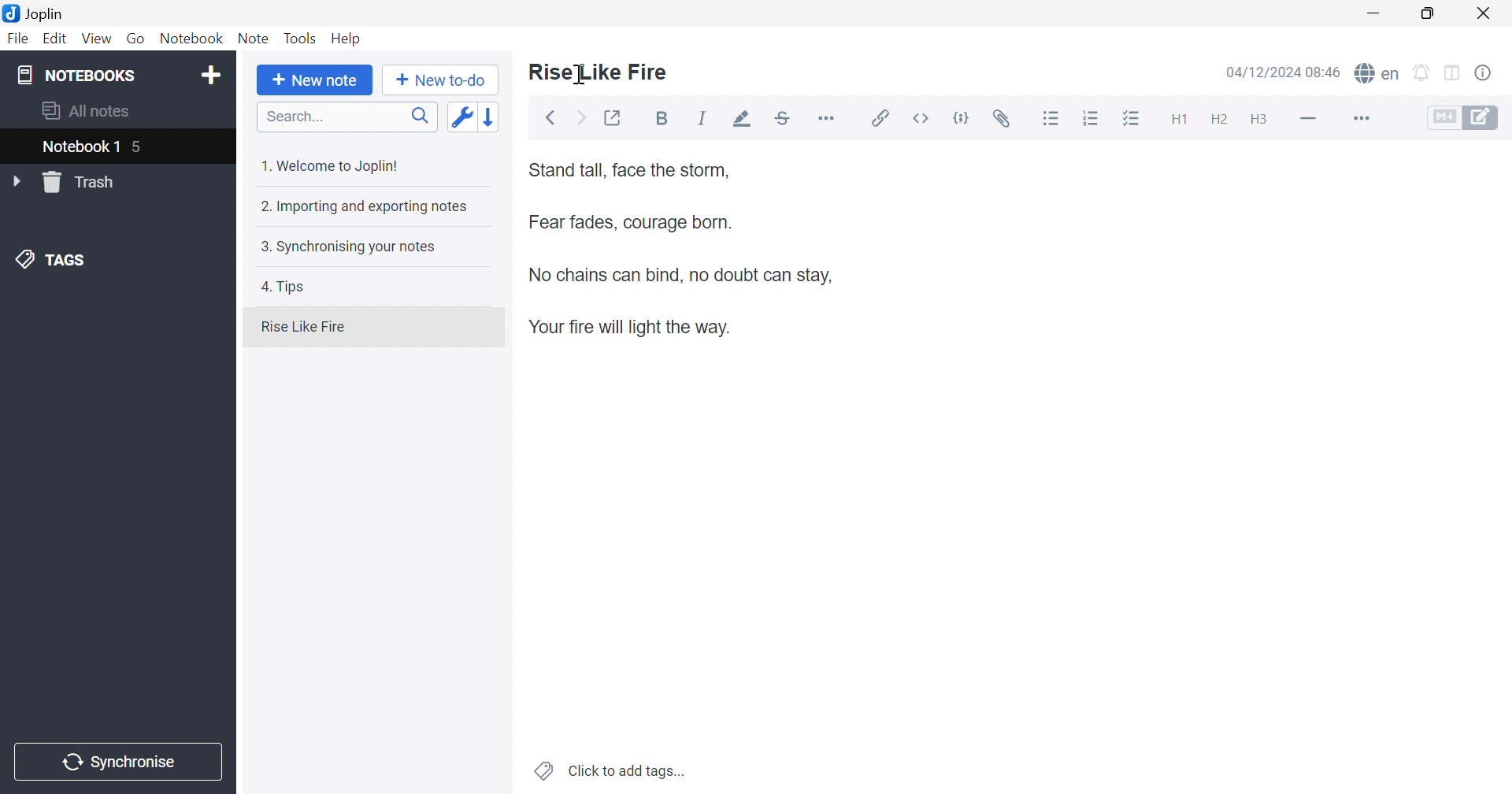 The image size is (1512, 794). I want to click on Help, so click(344, 38).